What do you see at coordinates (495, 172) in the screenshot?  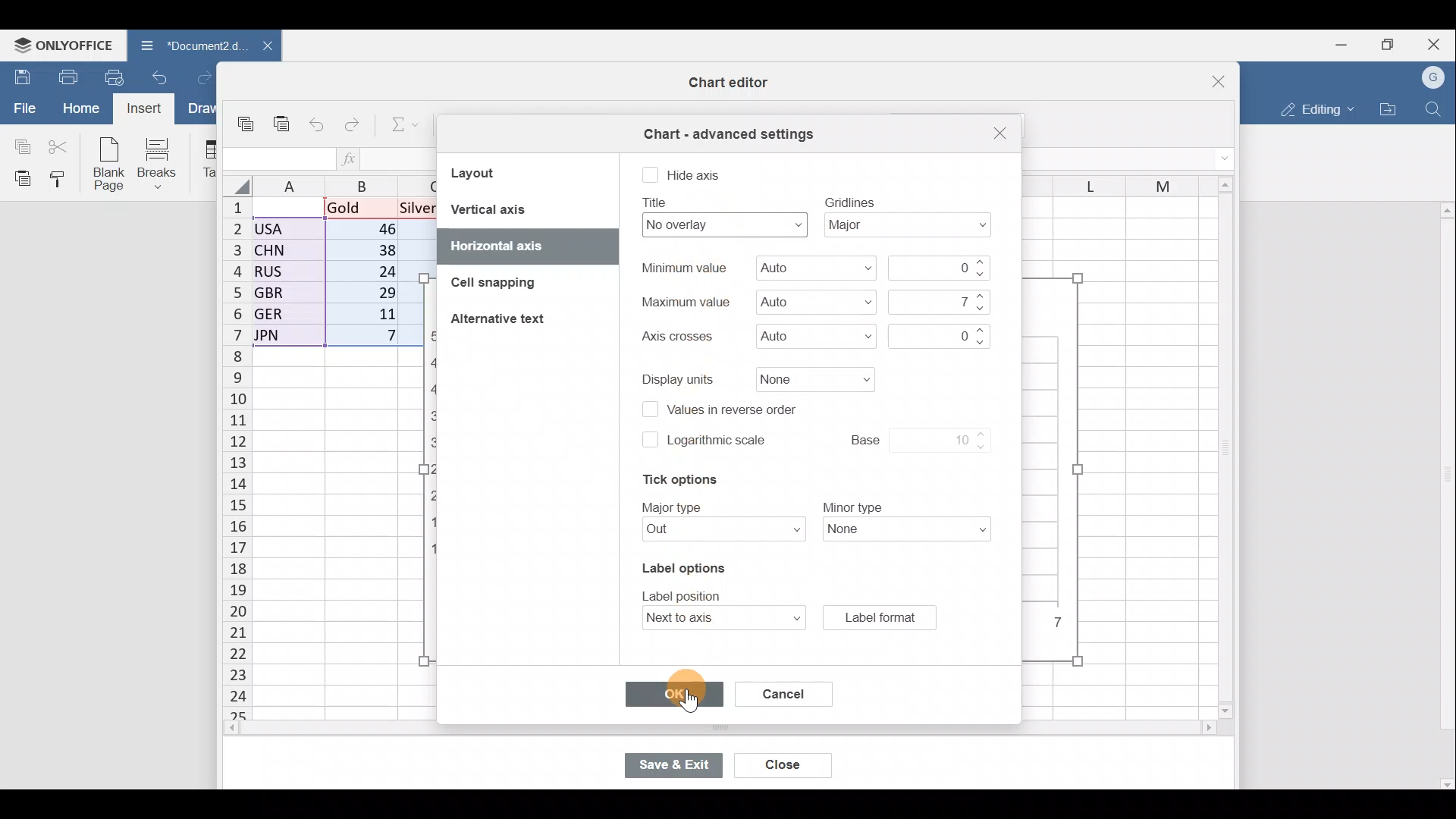 I see `Layout` at bounding box center [495, 172].